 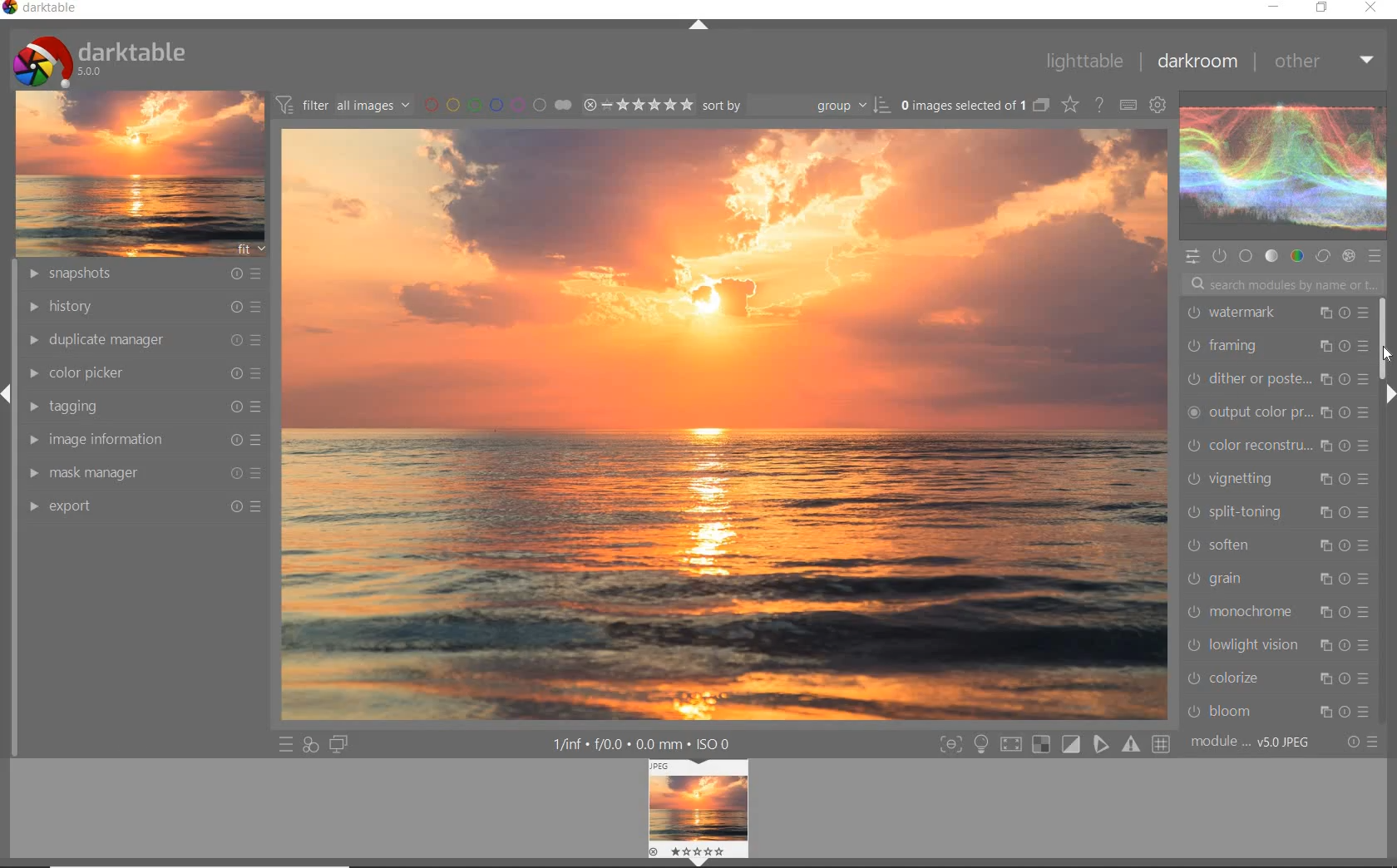 What do you see at coordinates (1284, 284) in the screenshot?
I see `SEARCH MODULES` at bounding box center [1284, 284].